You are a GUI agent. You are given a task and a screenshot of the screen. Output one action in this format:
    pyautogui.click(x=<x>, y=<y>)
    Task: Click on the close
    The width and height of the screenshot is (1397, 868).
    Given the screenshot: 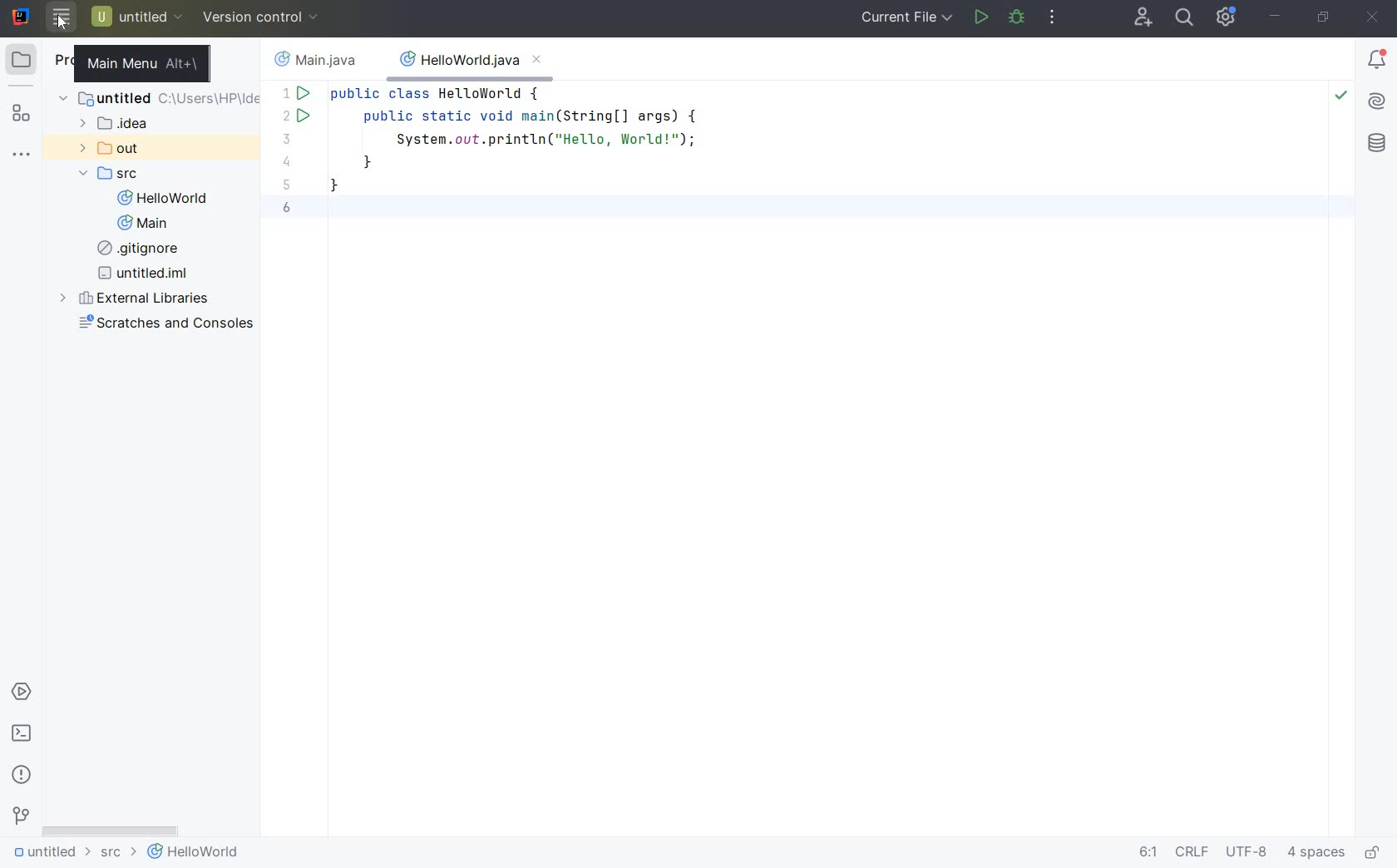 What is the action you would take?
    pyautogui.click(x=1373, y=18)
    